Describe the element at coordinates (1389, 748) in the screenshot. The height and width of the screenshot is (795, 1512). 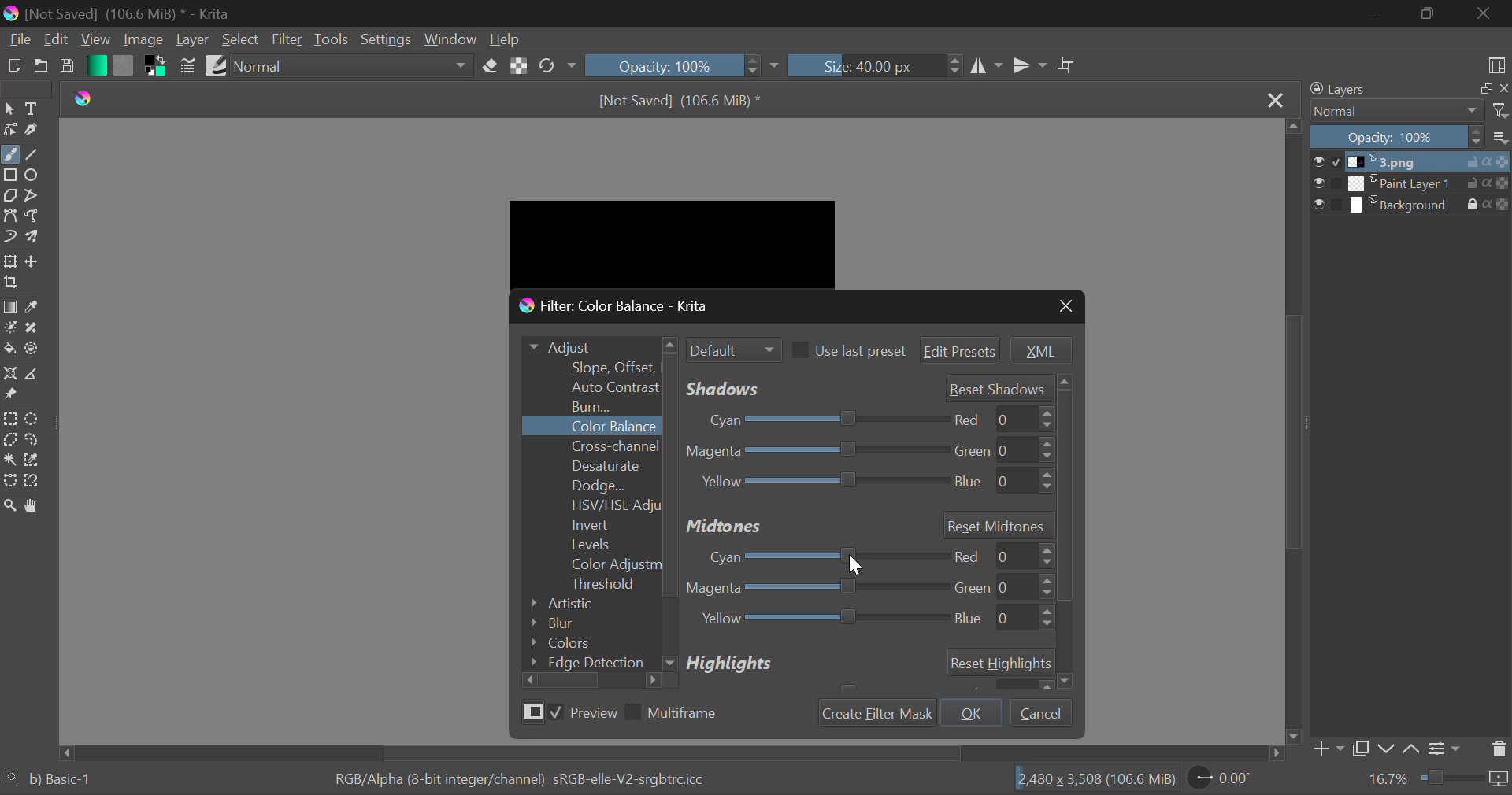
I see `Move Layer Down` at that location.